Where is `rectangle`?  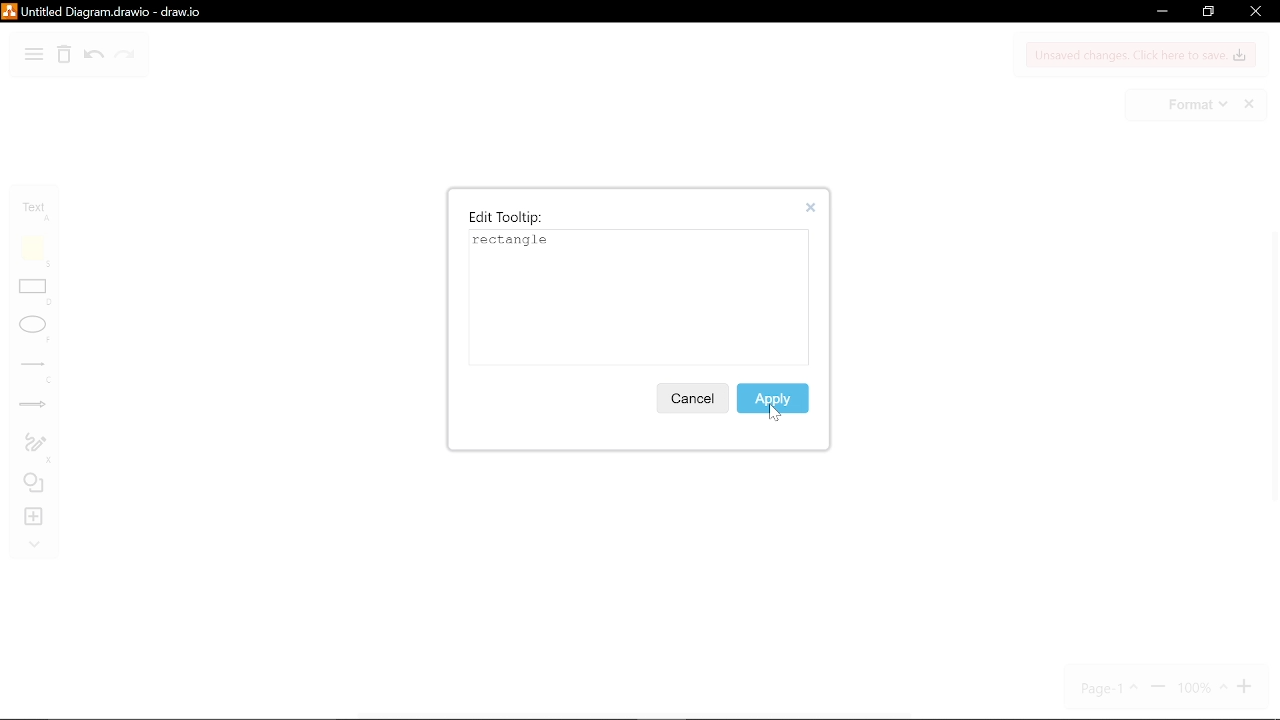 rectangle is located at coordinates (36, 294).